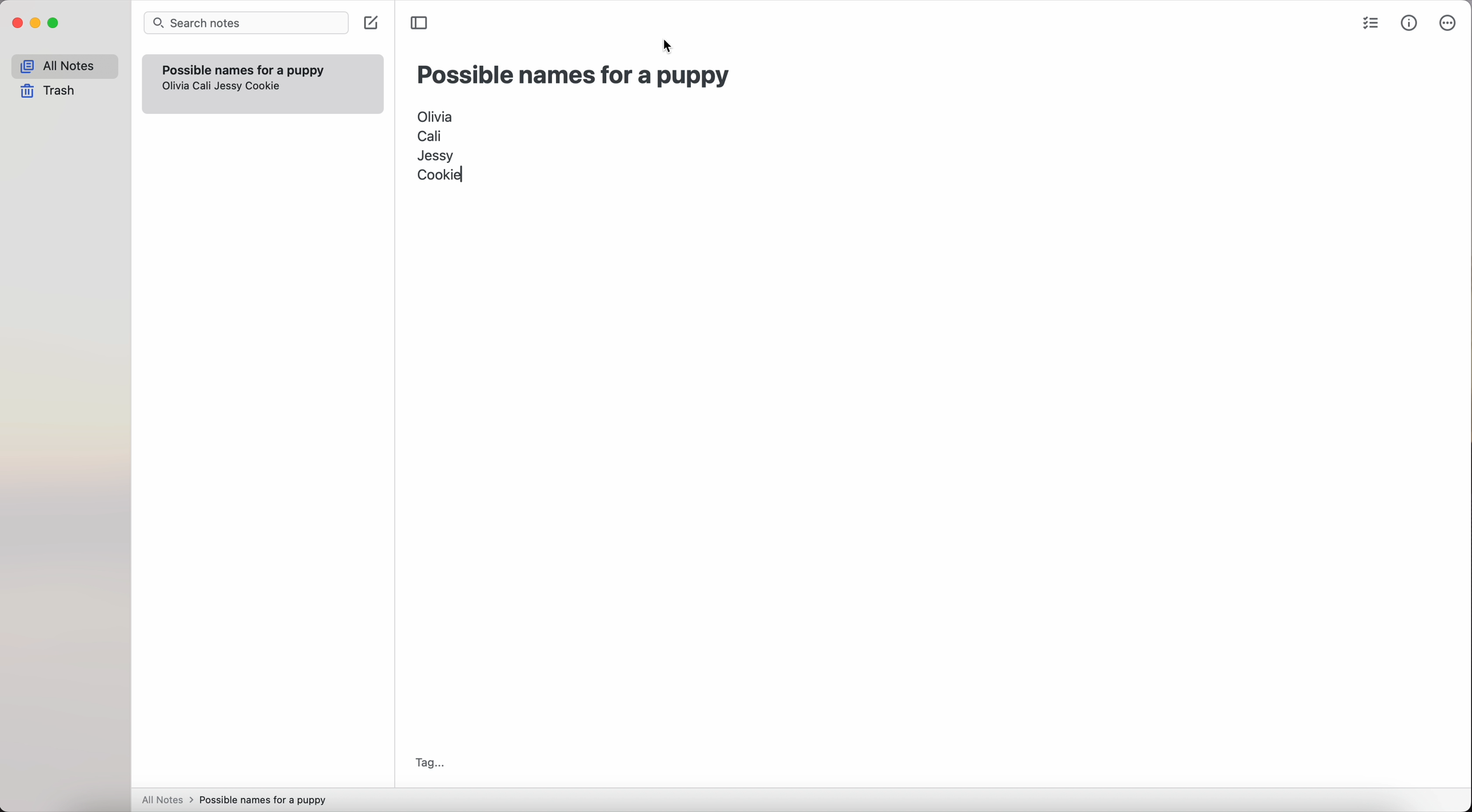 The height and width of the screenshot is (812, 1472). Describe the element at coordinates (370, 24) in the screenshot. I see `create note` at that location.